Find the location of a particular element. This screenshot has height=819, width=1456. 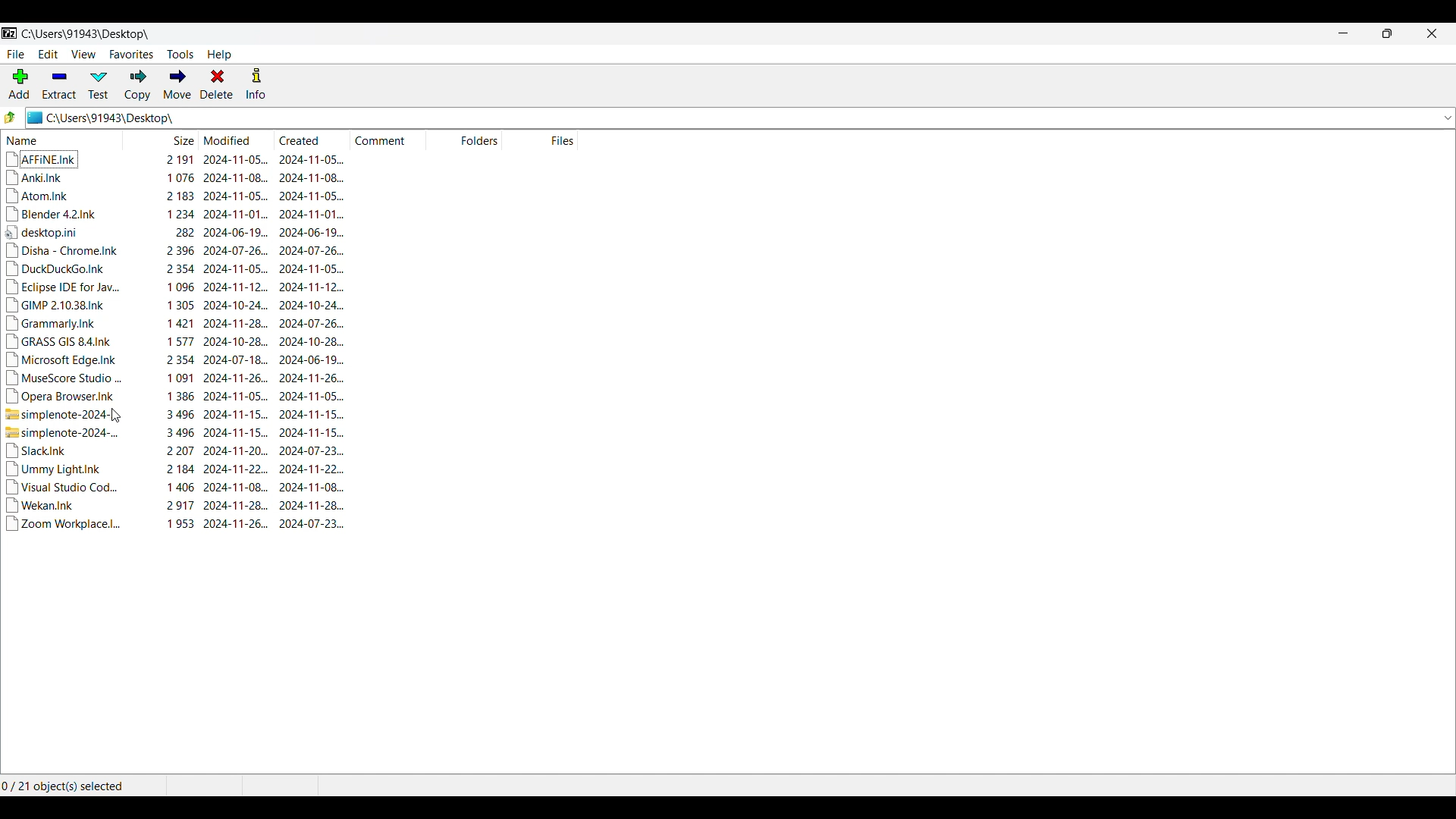

Eclipse IDE for Jav... 1096 2024-11-12... 2024-11-12. is located at coordinates (177, 288).